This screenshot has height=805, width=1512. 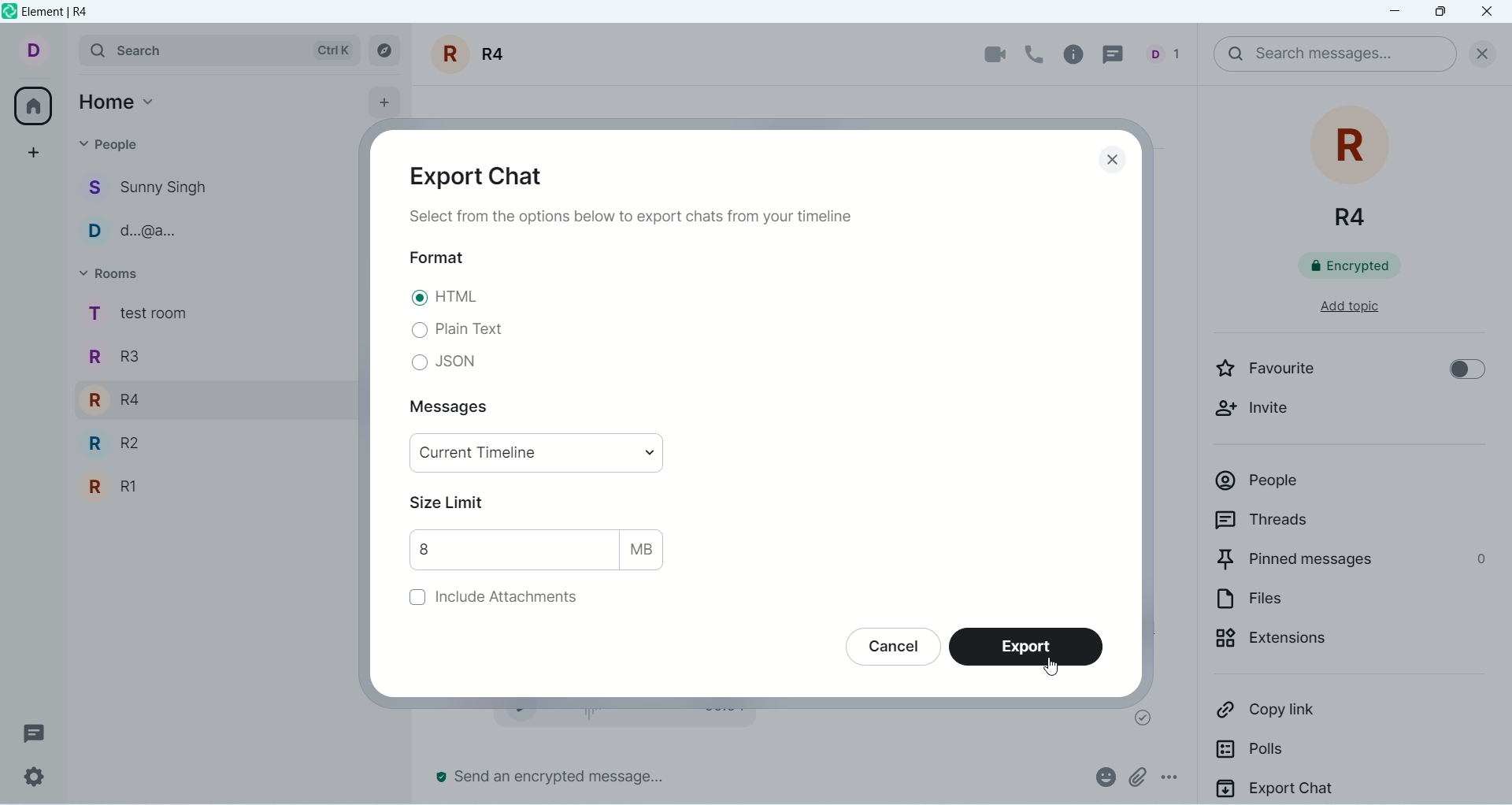 I want to click on people, so click(x=1169, y=53).